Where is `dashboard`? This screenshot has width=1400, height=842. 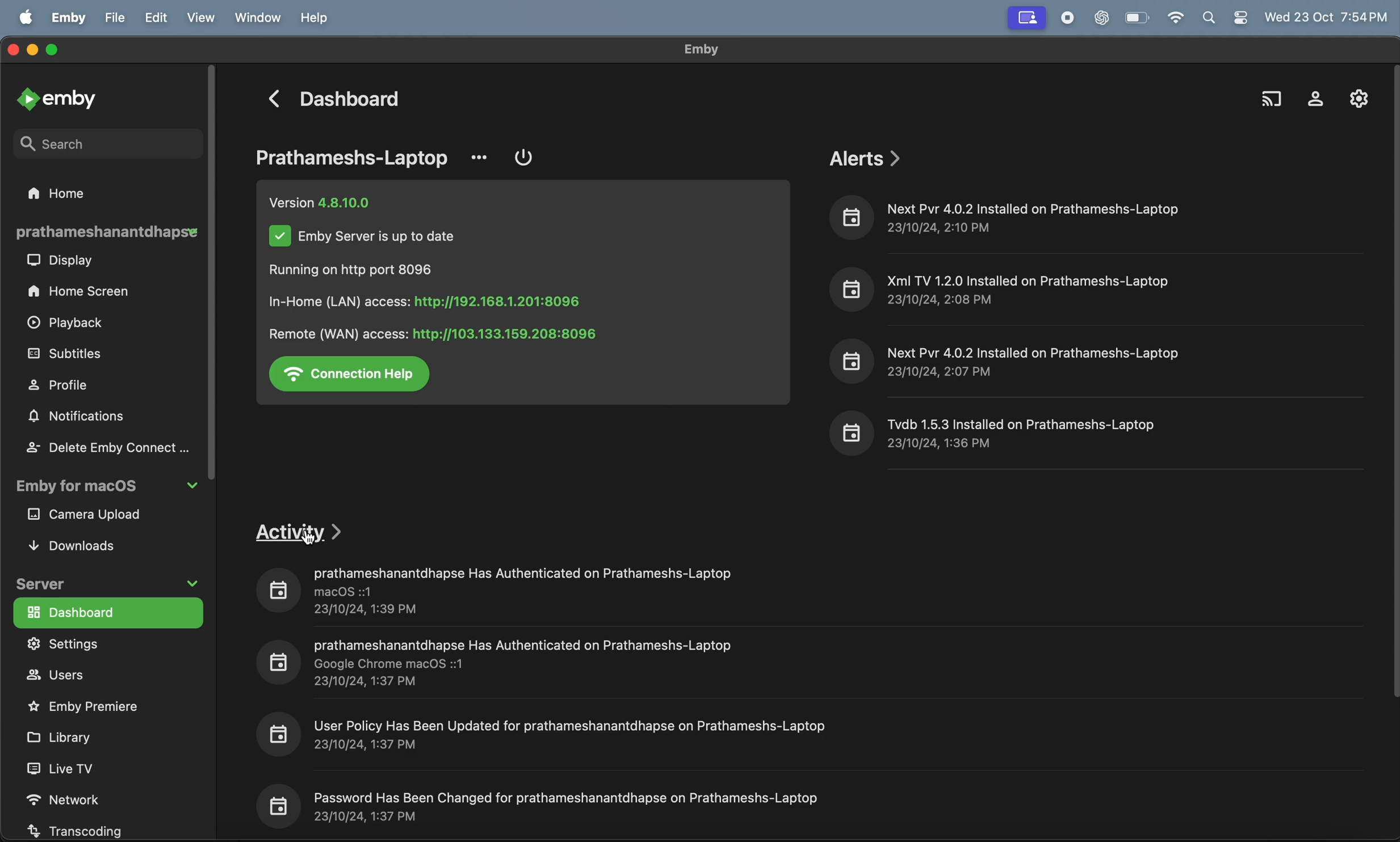 dashboard is located at coordinates (339, 100).